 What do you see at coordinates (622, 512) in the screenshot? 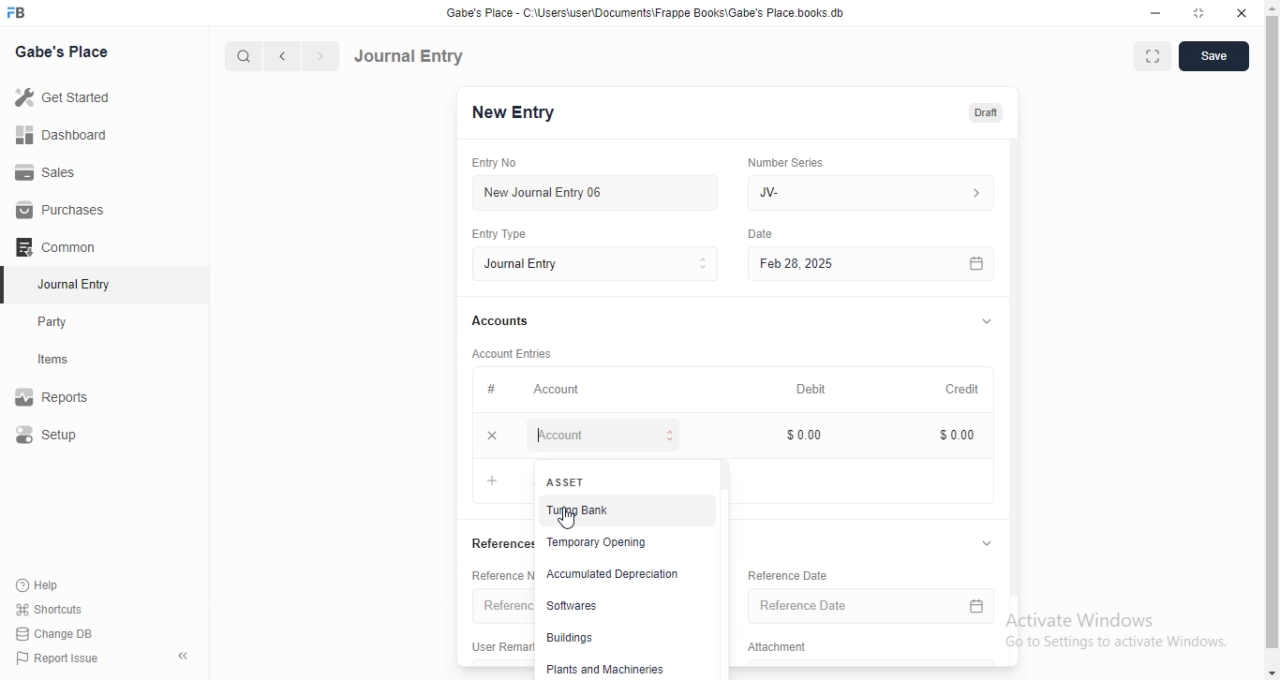
I see `Tuphg Bank` at bounding box center [622, 512].